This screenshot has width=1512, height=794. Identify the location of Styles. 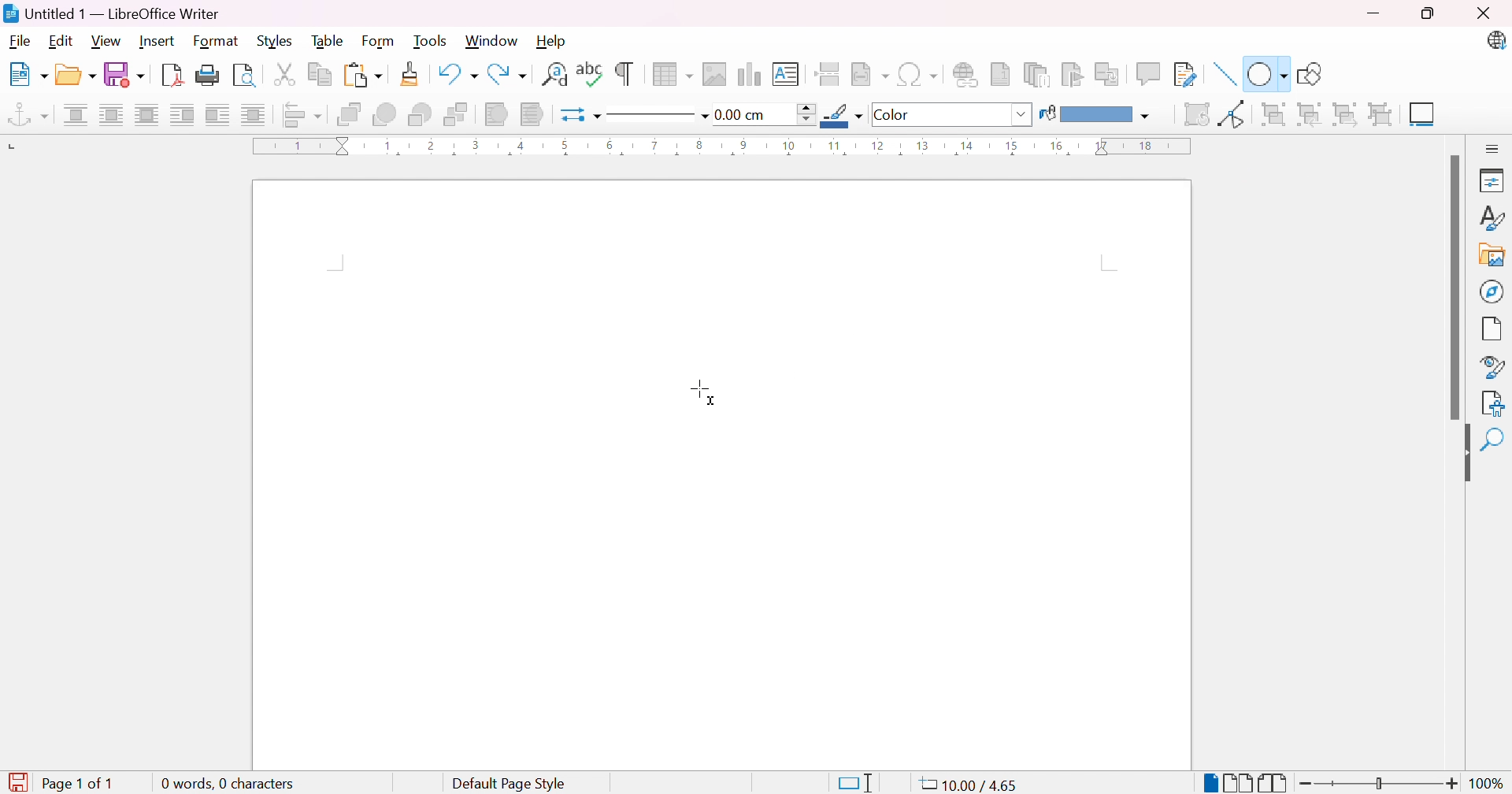
(273, 42).